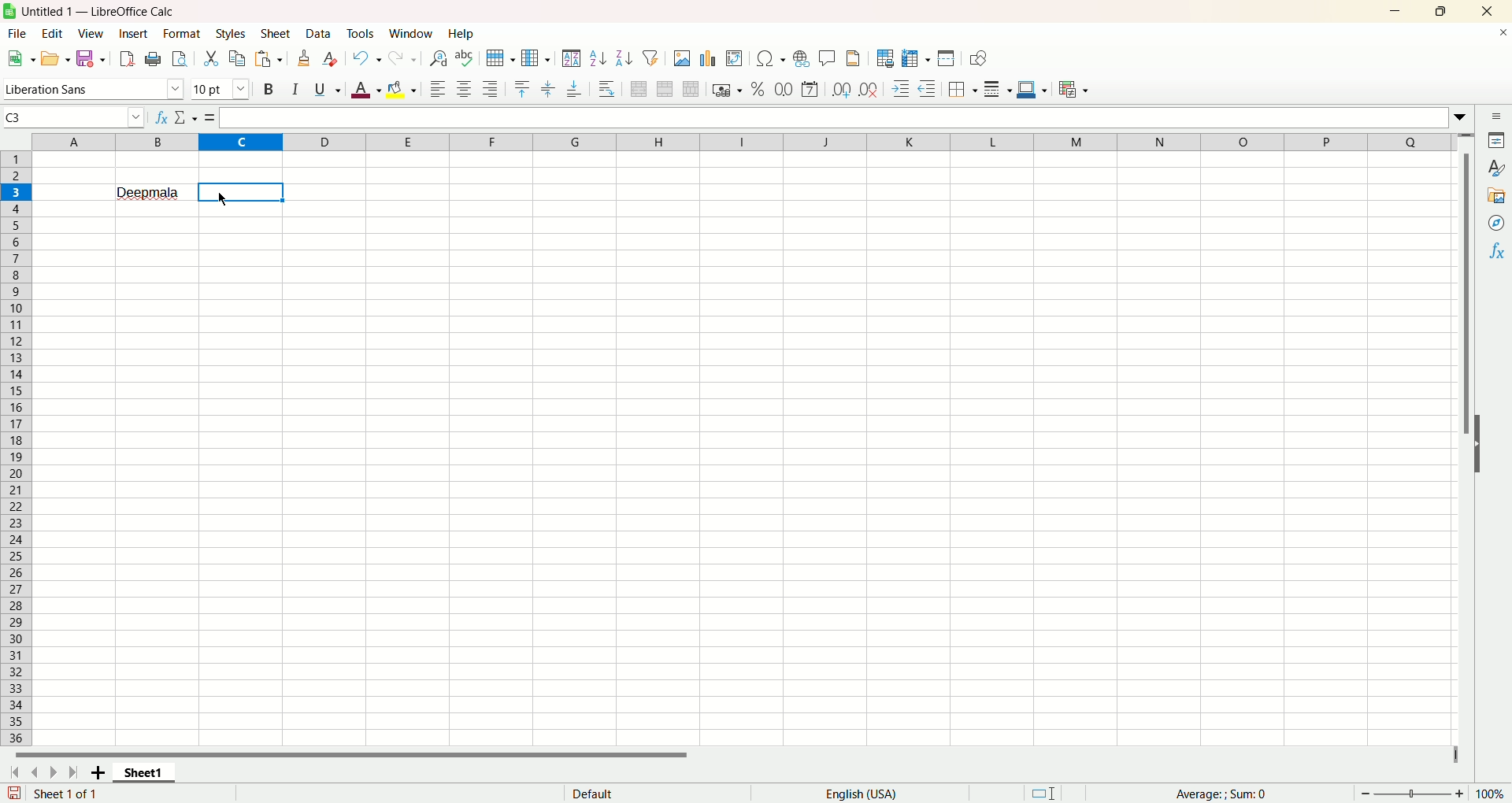 This screenshot has width=1512, height=803. I want to click on goto next sheet, so click(51, 773).